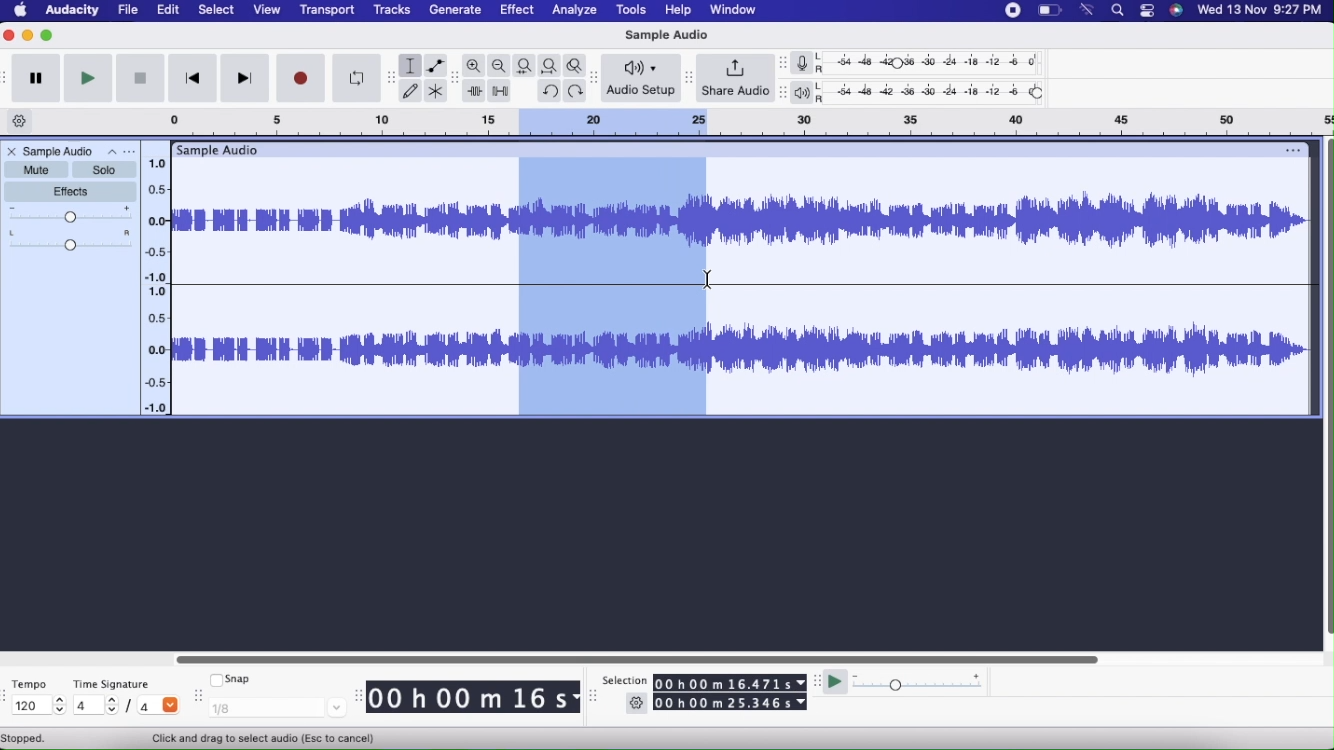 The height and width of the screenshot is (750, 1334). What do you see at coordinates (738, 10) in the screenshot?
I see `Window` at bounding box center [738, 10].